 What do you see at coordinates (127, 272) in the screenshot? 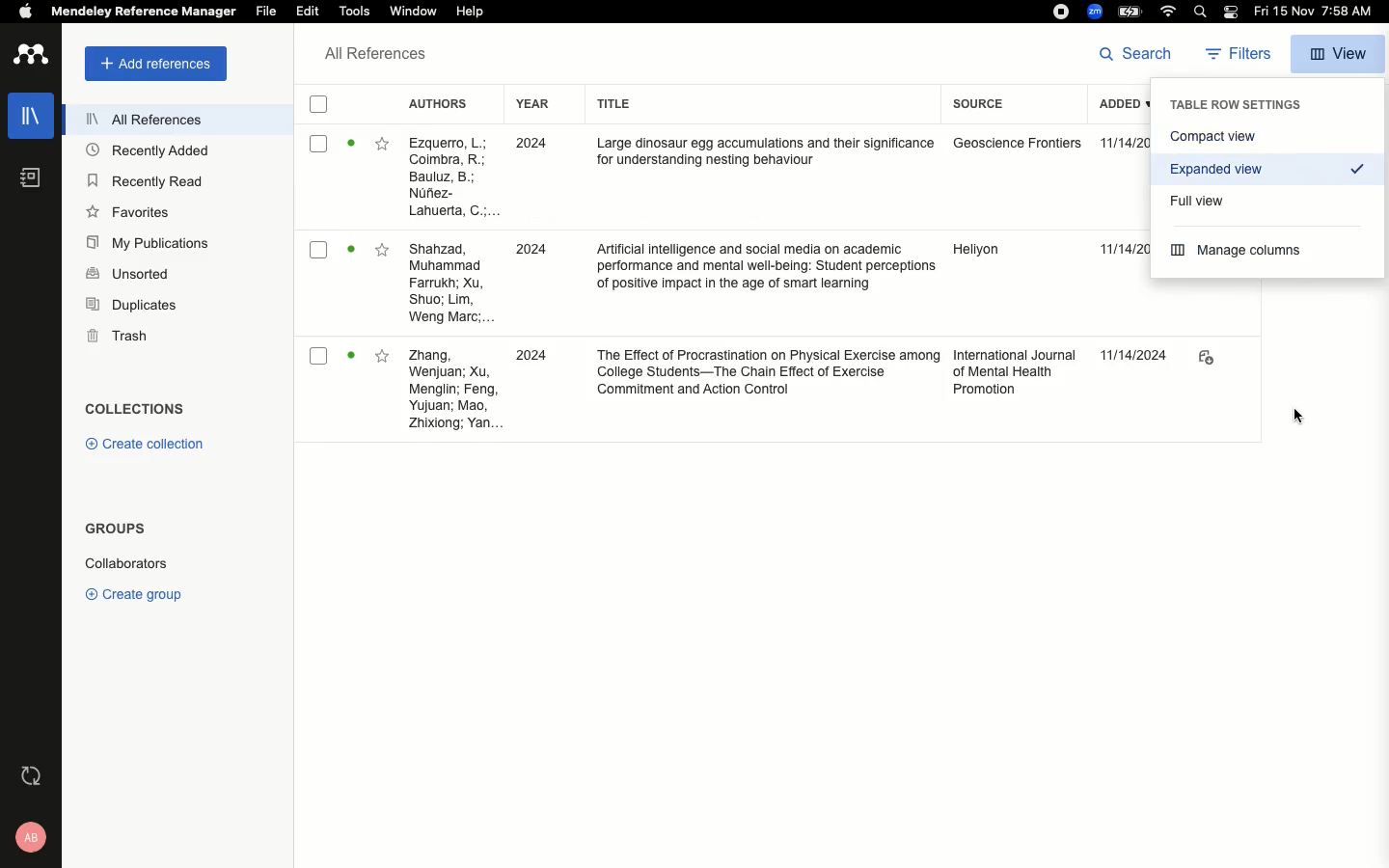
I see `Unsorted` at bounding box center [127, 272].